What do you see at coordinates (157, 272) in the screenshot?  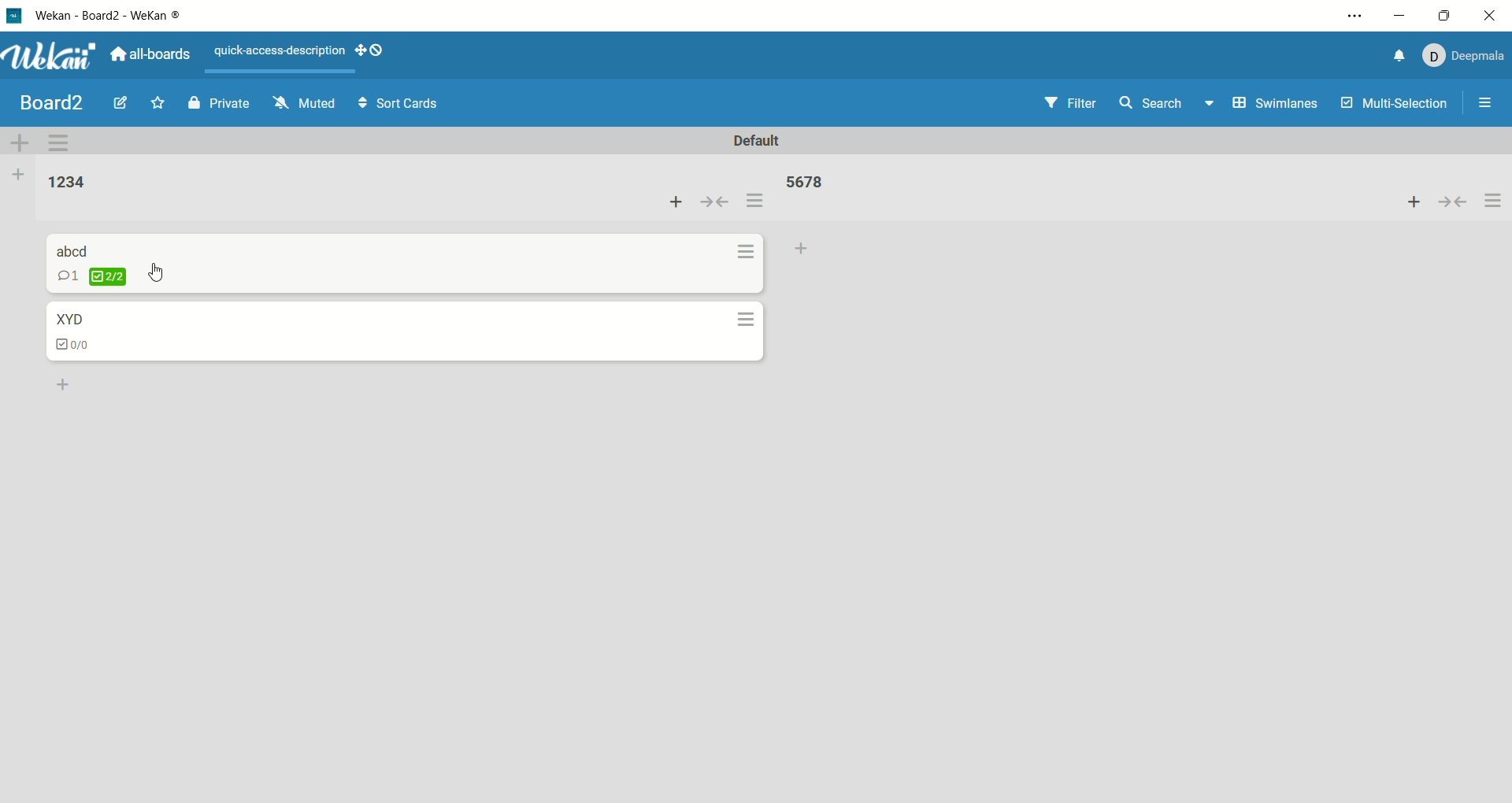 I see `cursor` at bounding box center [157, 272].